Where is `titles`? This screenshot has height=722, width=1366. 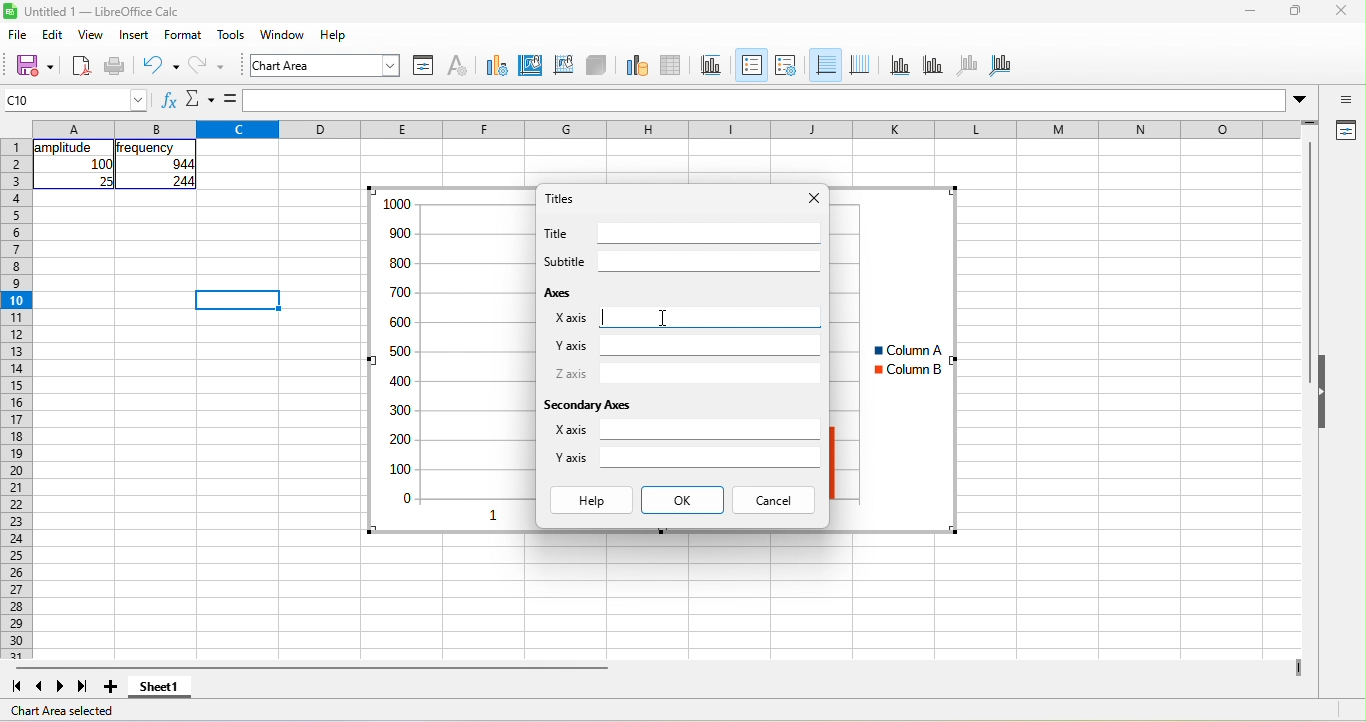 titles is located at coordinates (712, 66).